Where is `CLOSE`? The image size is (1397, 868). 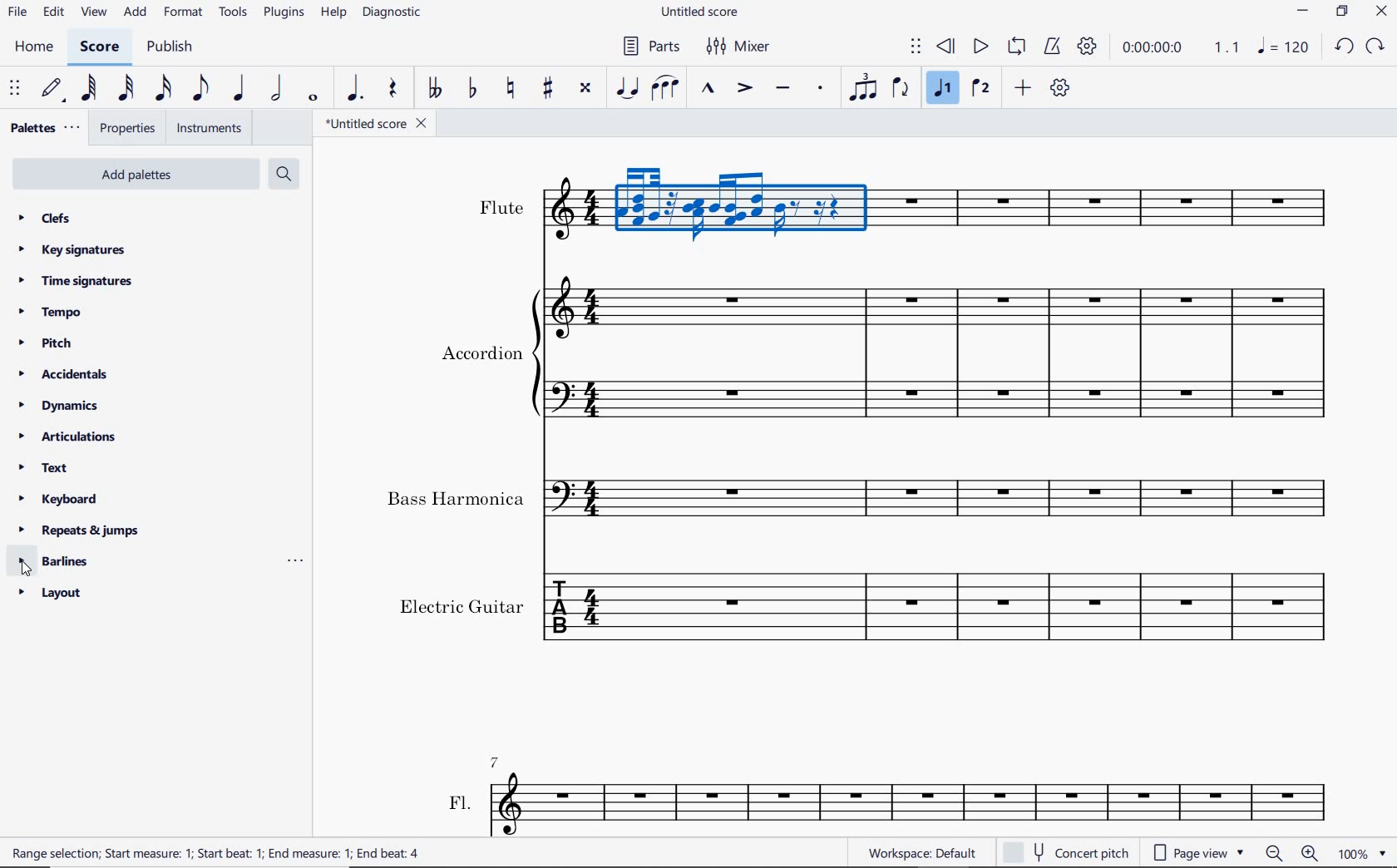
CLOSE is located at coordinates (1382, 11).